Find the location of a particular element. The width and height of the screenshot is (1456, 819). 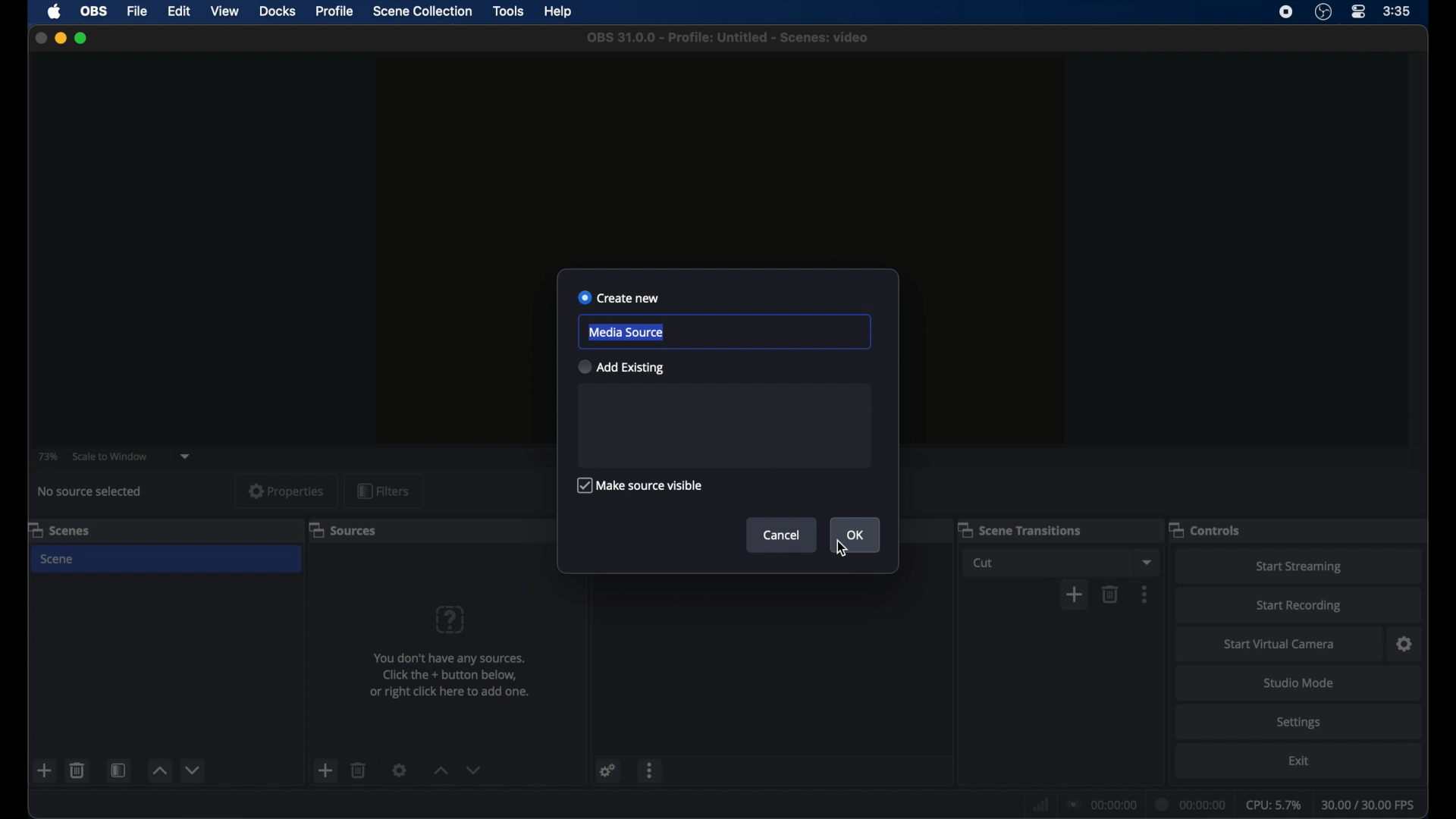

obs is located at coordinates (93, 11).